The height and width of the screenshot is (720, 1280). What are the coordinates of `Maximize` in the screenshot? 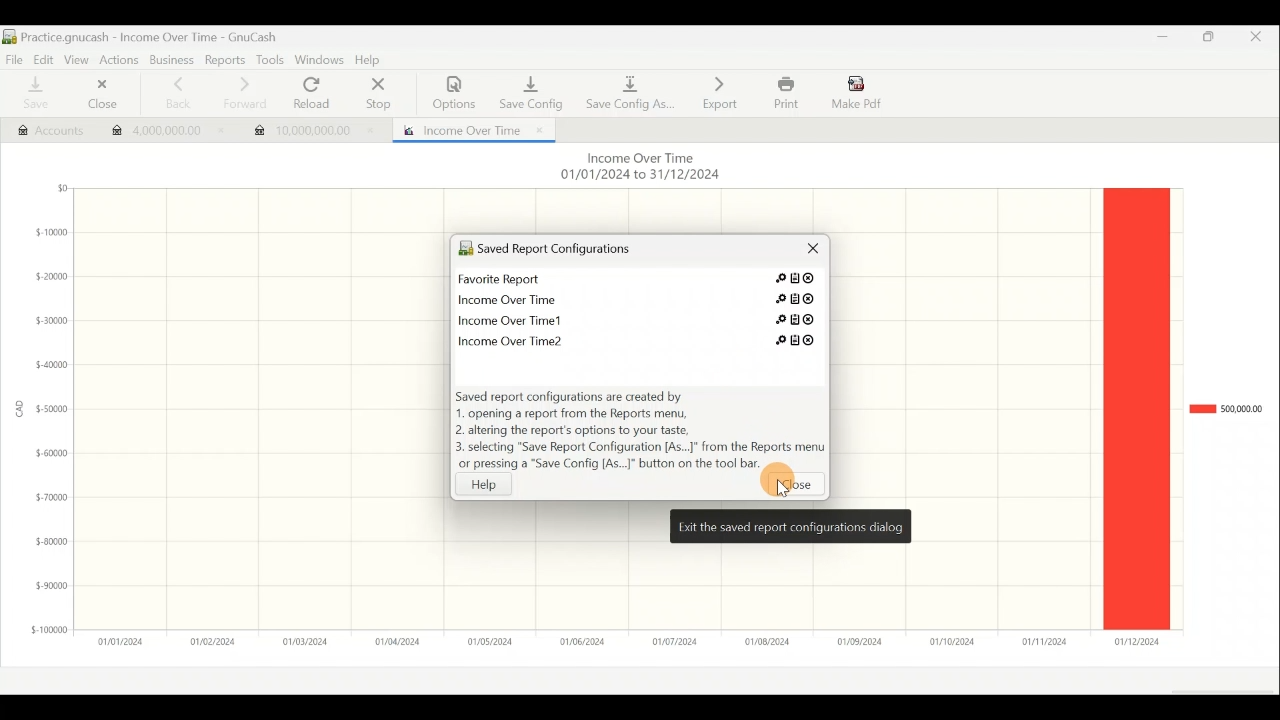 It's located at (1210, 40).